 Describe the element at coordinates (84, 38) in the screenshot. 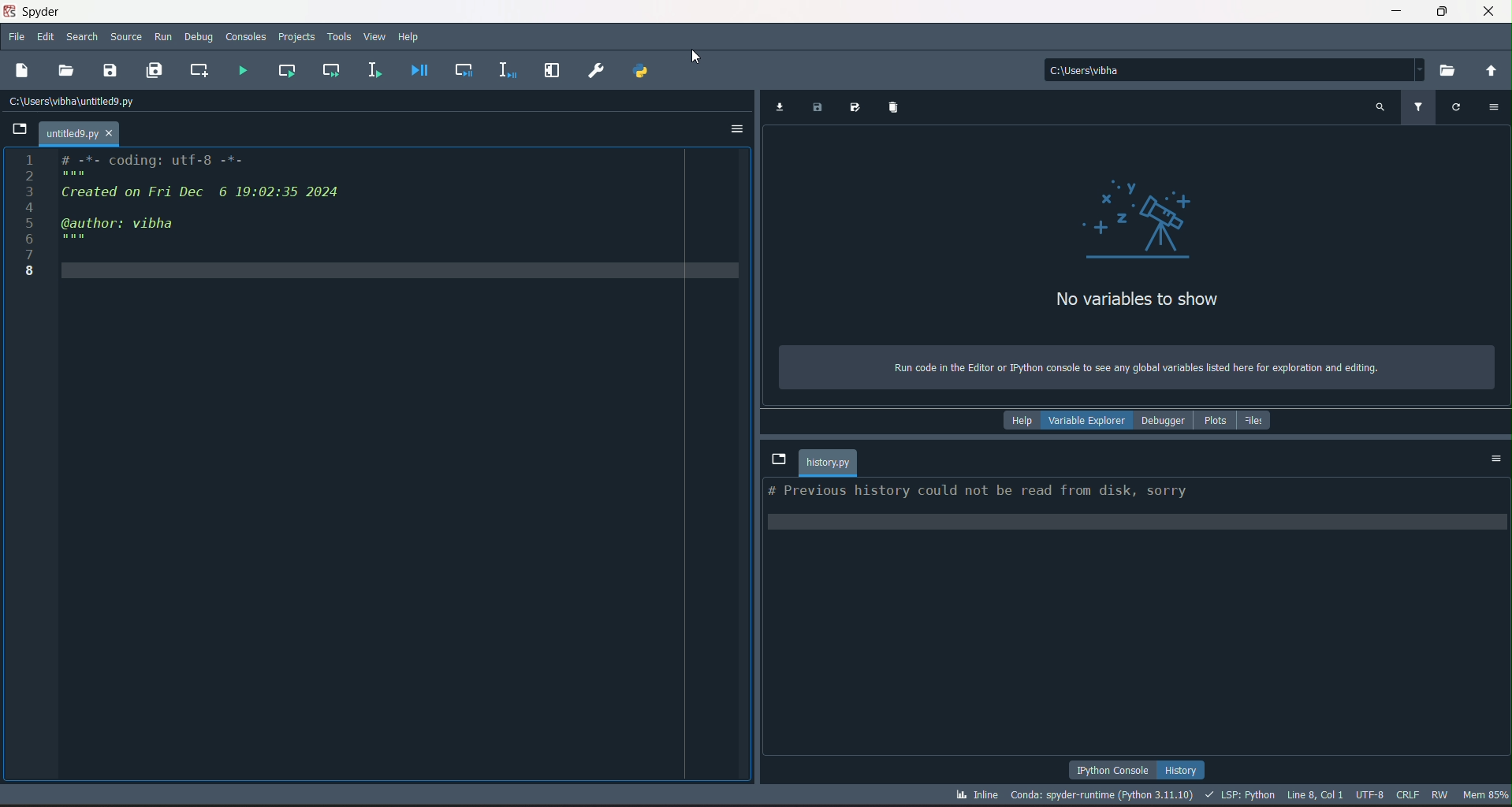

I see `search` at that location.